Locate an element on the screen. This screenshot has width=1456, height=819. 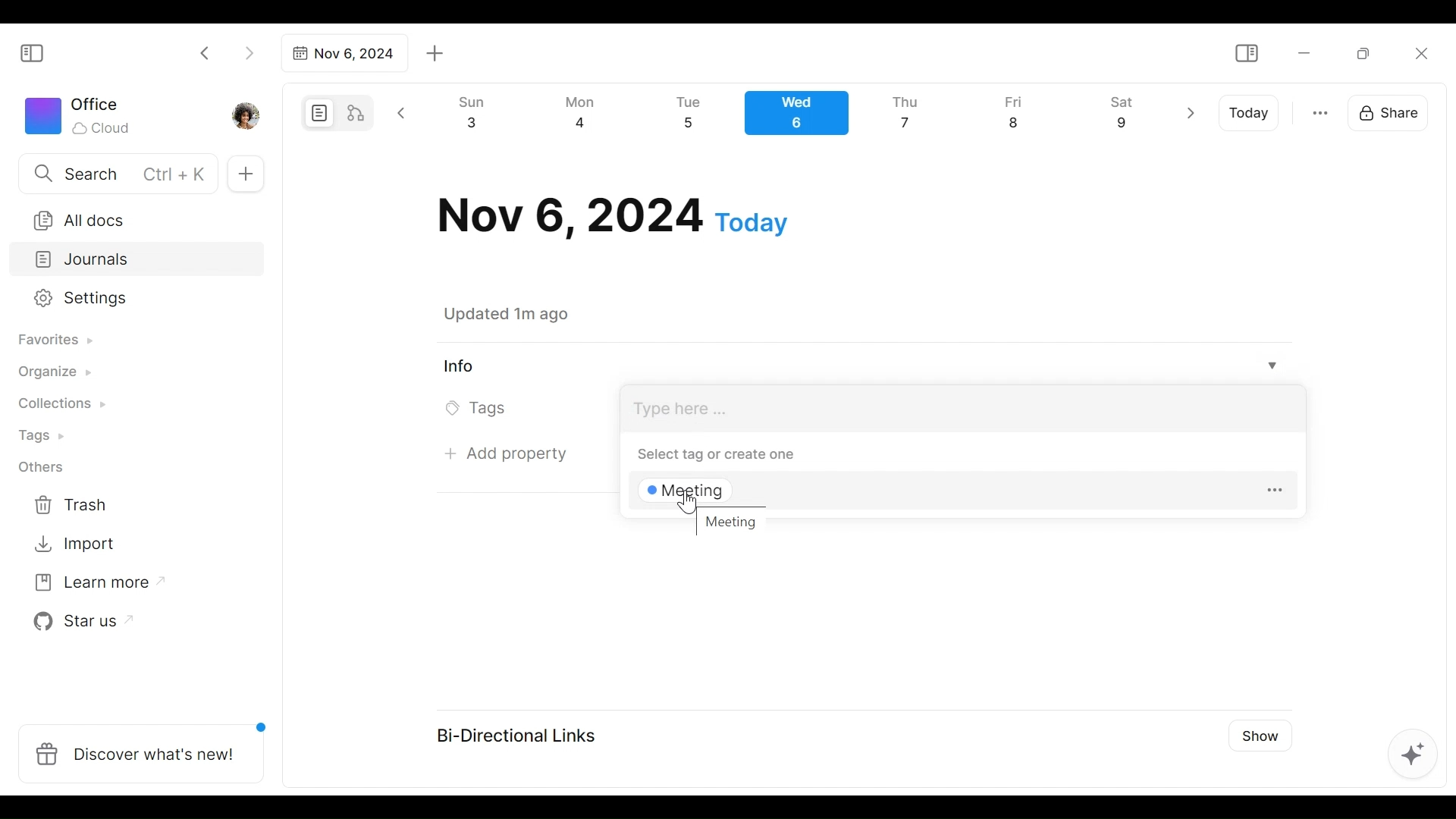
Tags Field is located at coordinates (961, 406).